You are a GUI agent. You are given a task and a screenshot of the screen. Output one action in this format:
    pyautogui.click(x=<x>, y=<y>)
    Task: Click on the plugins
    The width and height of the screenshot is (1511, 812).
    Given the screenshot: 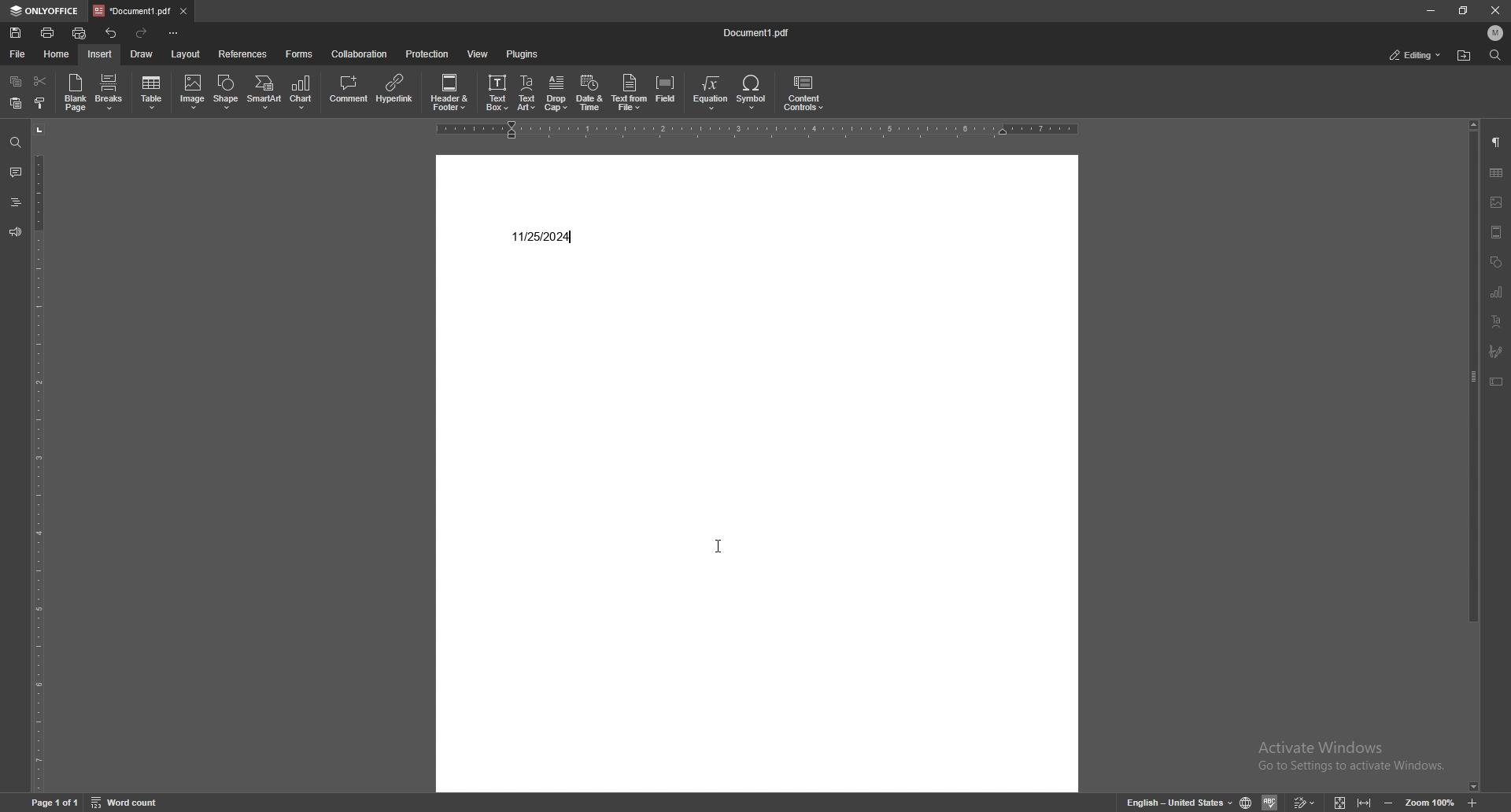 What is the action you would take?
    pyautogui.click(x=525, y=54)
    